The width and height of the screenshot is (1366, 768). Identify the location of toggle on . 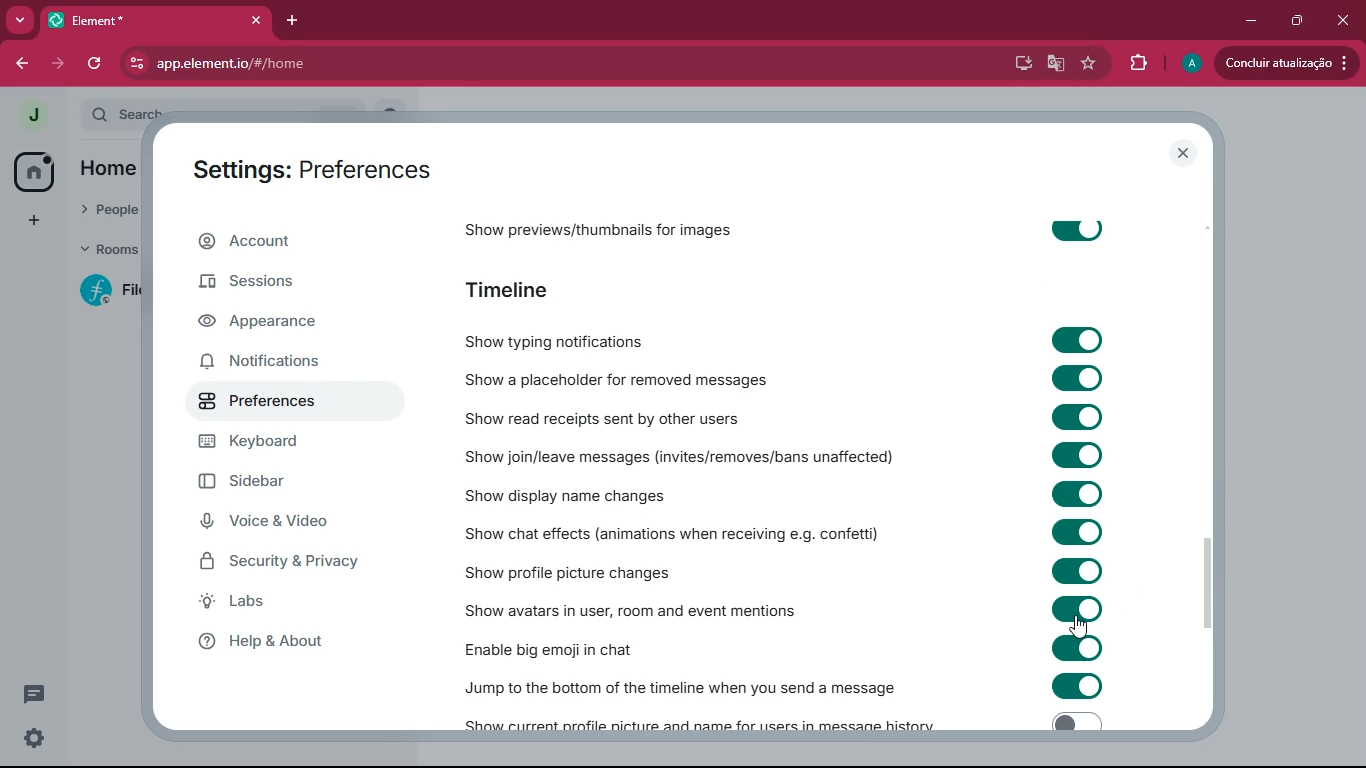
(1077, 569).